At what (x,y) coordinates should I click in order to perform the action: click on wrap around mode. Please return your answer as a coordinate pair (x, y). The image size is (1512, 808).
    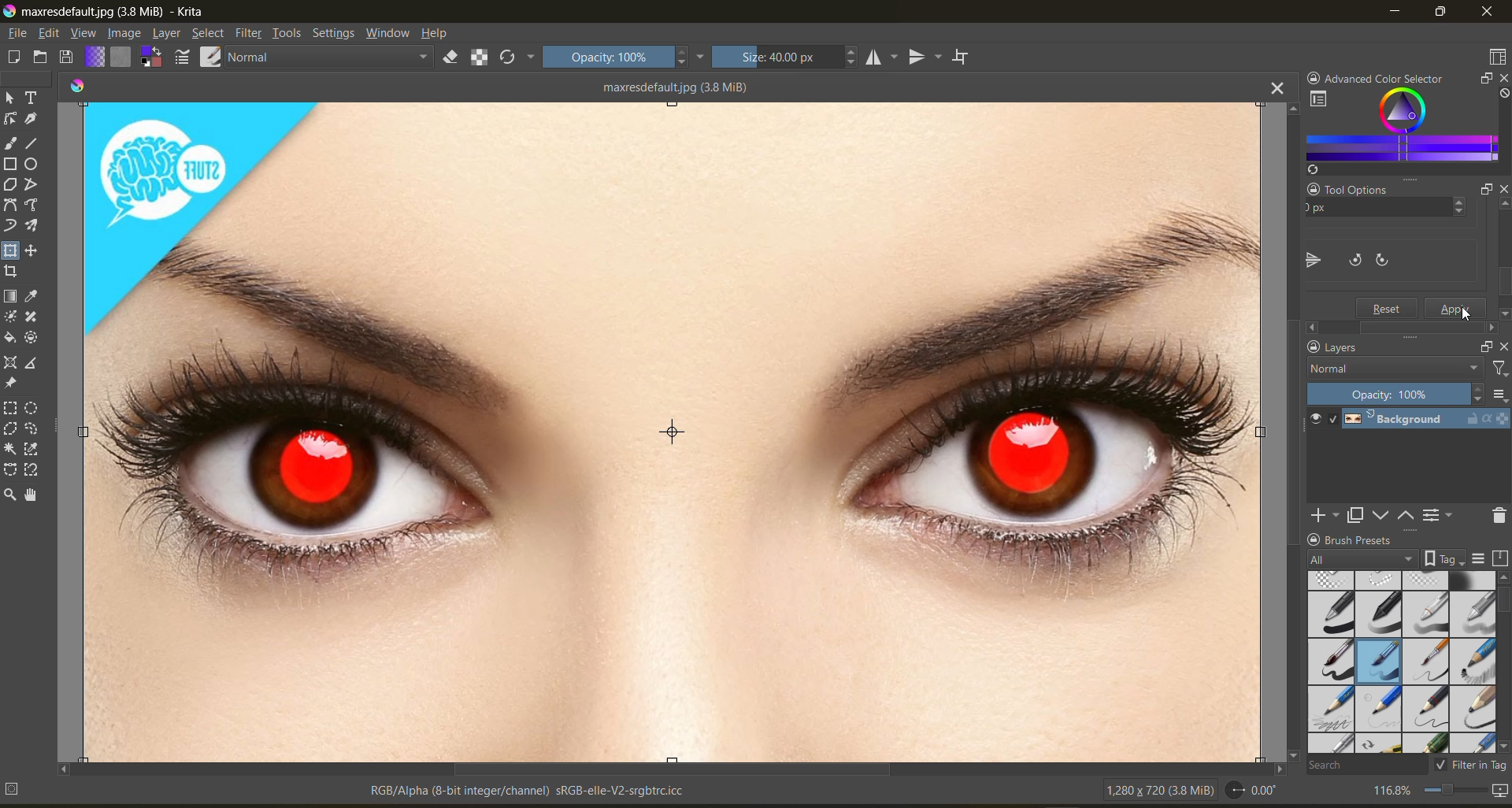
    Looking at the image, I should click on (966, 57).